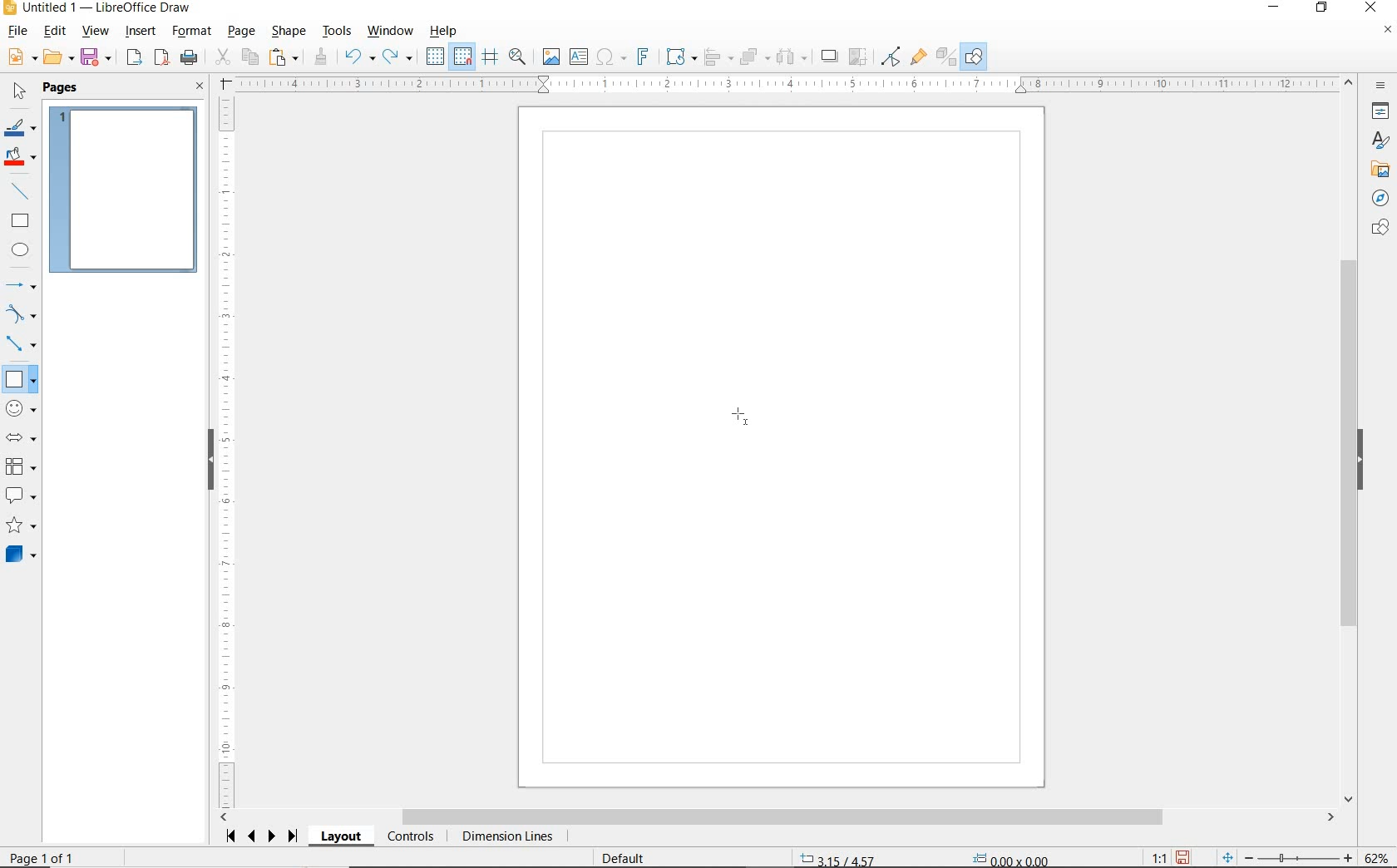  Describe the element at coordinates (192, 32) in the screenshot. I see `FORMAT` at that location.